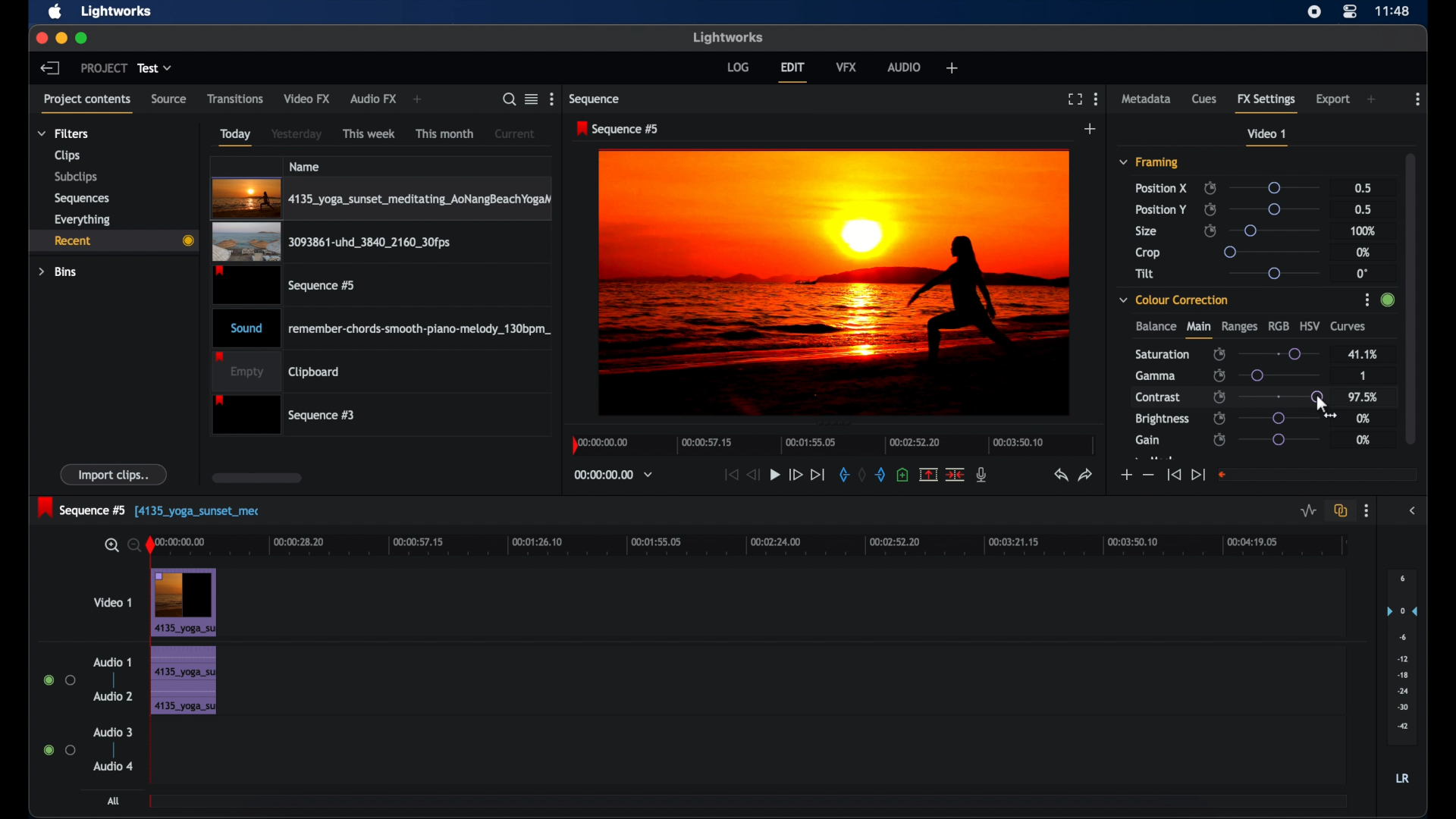 The width and height of the screenshot is (1456, 819). I want to click on clips, so click(65, 155).